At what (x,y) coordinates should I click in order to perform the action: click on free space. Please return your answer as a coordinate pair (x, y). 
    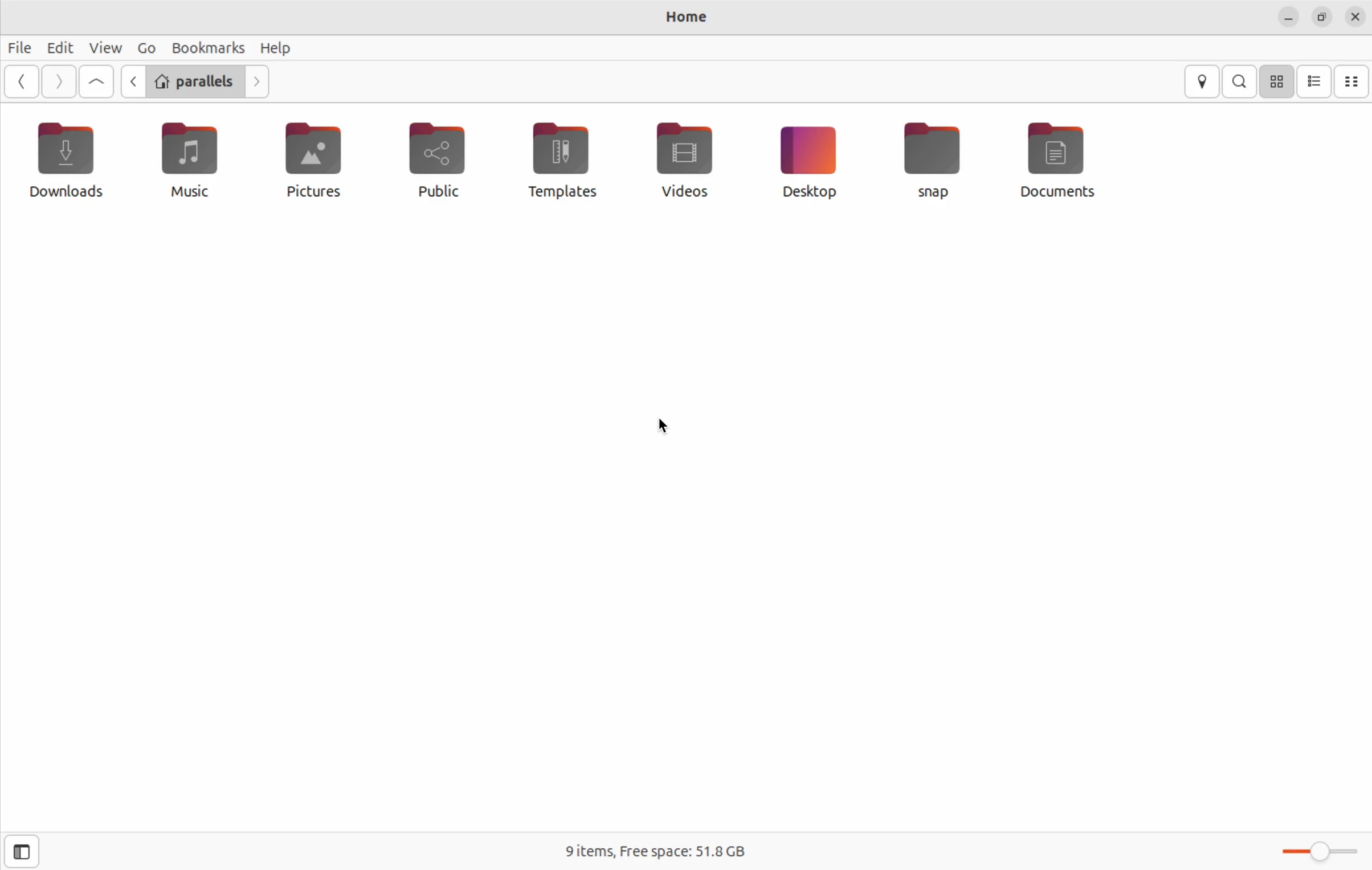
    Looking at the image, I should click on (652, 848).